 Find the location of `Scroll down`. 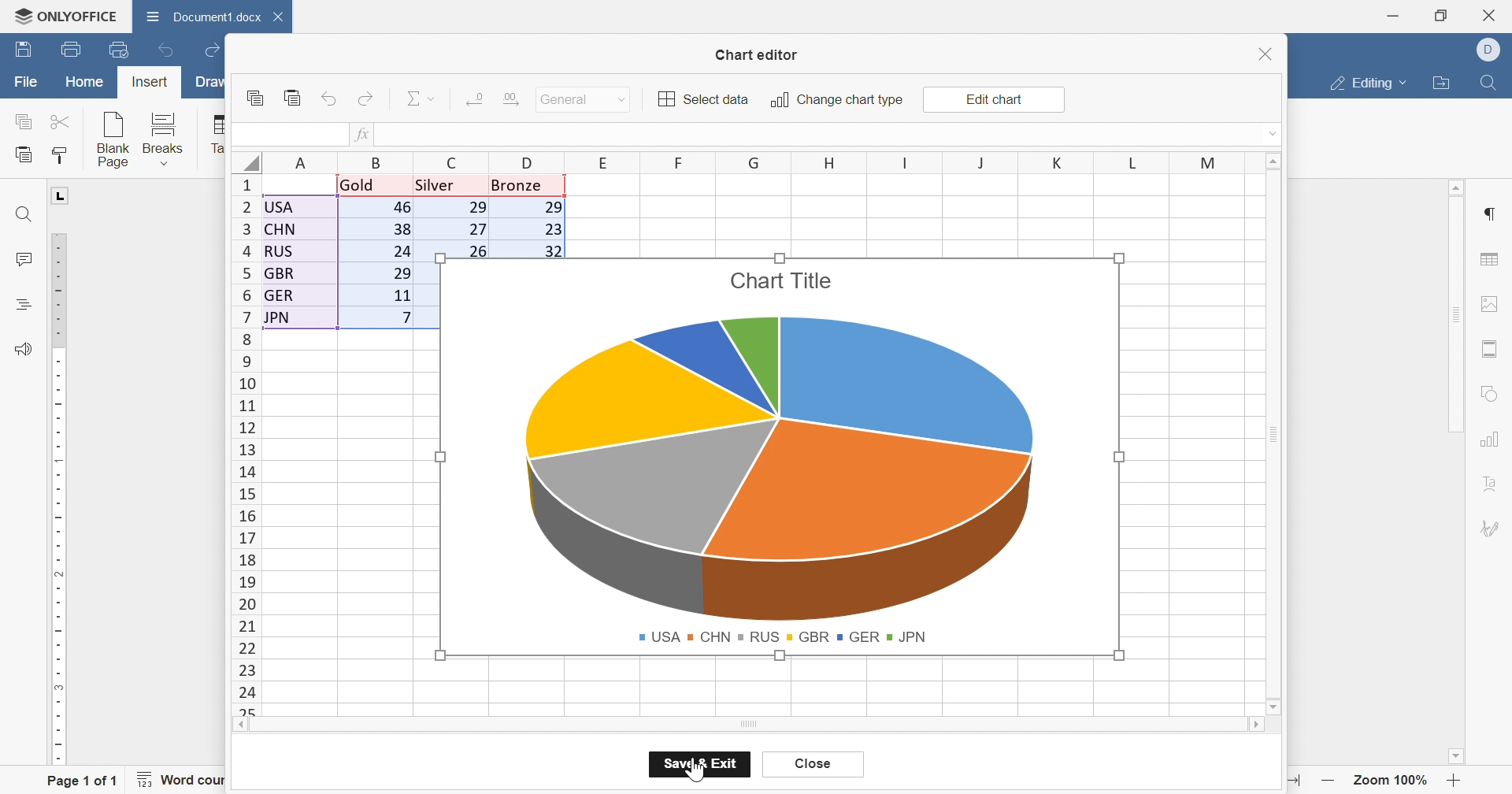

Scroll down is located at coordinates (1273, 708).